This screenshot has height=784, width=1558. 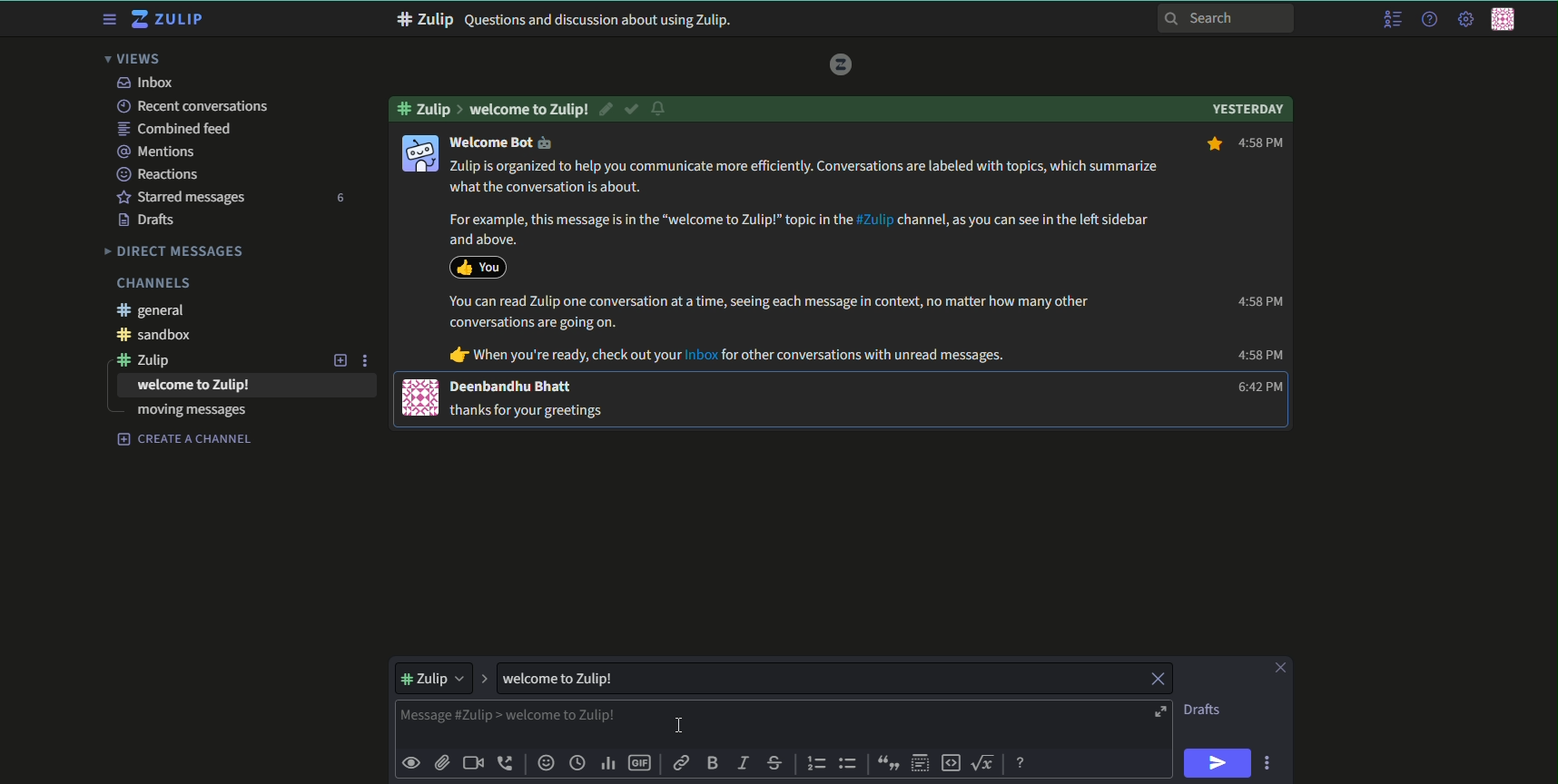 What do you see at coordinates (1464, 19) in the screenshot?
I see `main menu` at bounding box center [1464, 19].